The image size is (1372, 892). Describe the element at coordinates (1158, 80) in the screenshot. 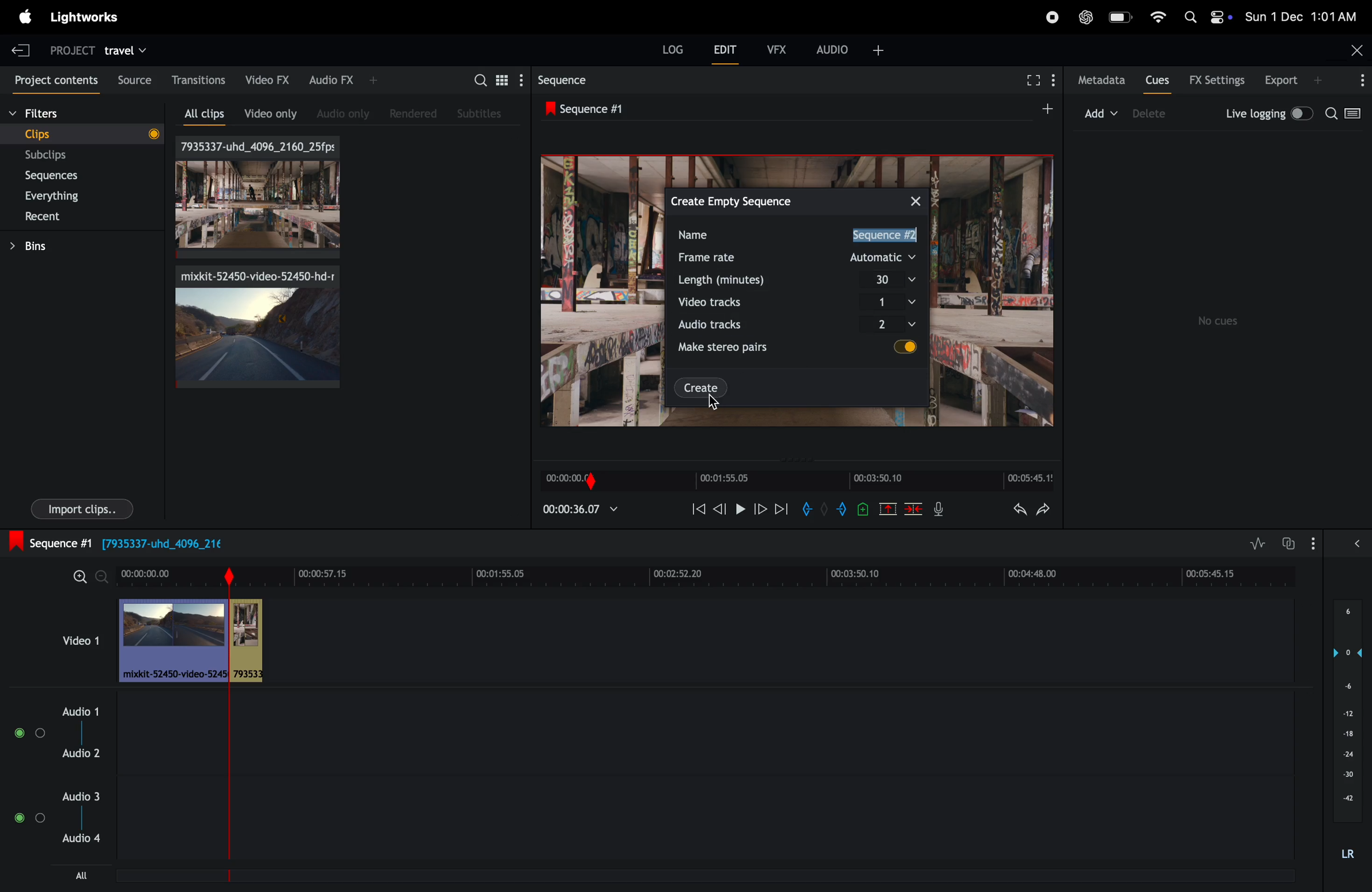

I see `cues` at that location.